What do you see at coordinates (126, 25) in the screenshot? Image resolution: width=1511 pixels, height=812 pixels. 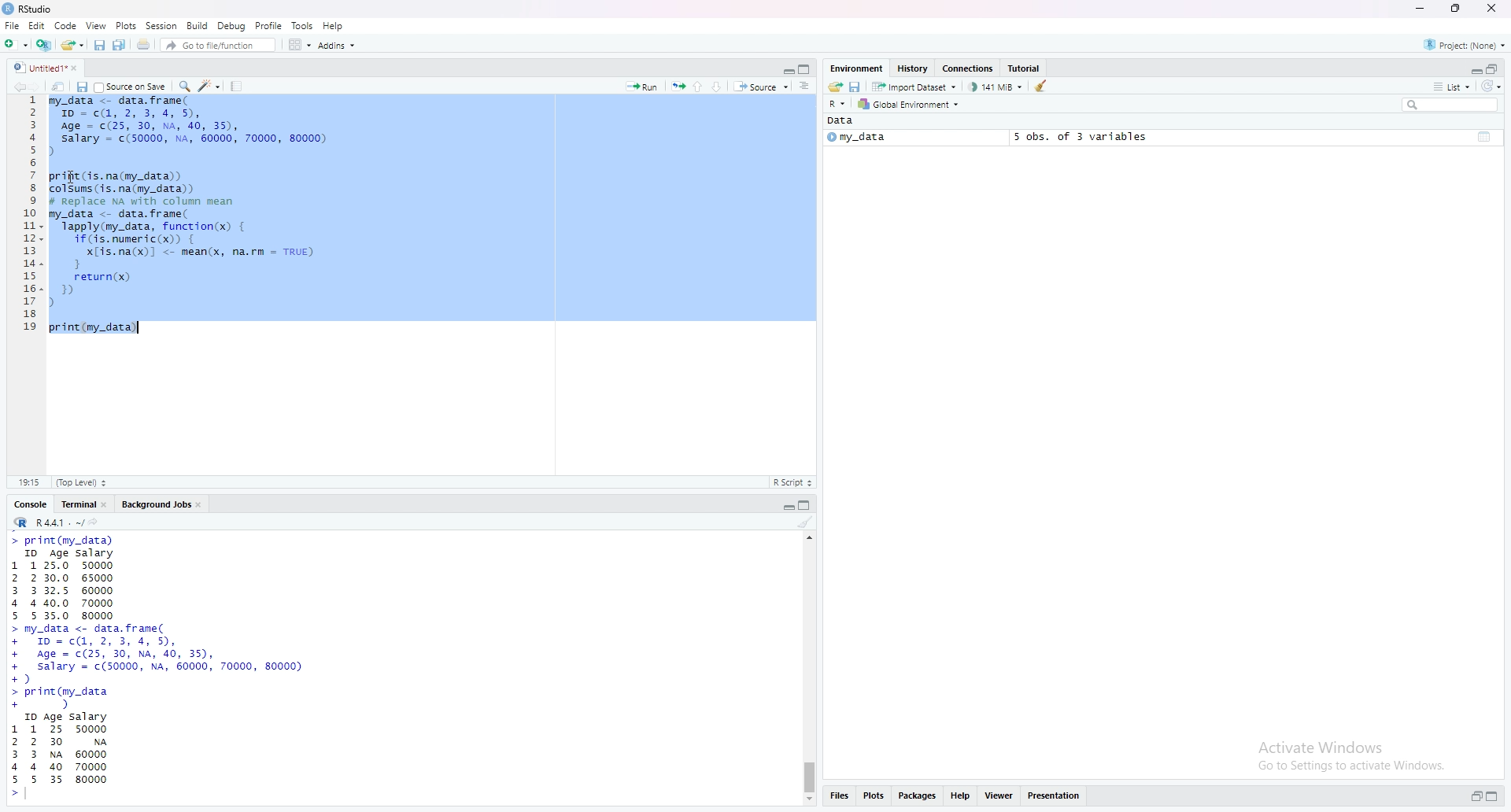 I see `Plots` at bounding box center [126, 25].